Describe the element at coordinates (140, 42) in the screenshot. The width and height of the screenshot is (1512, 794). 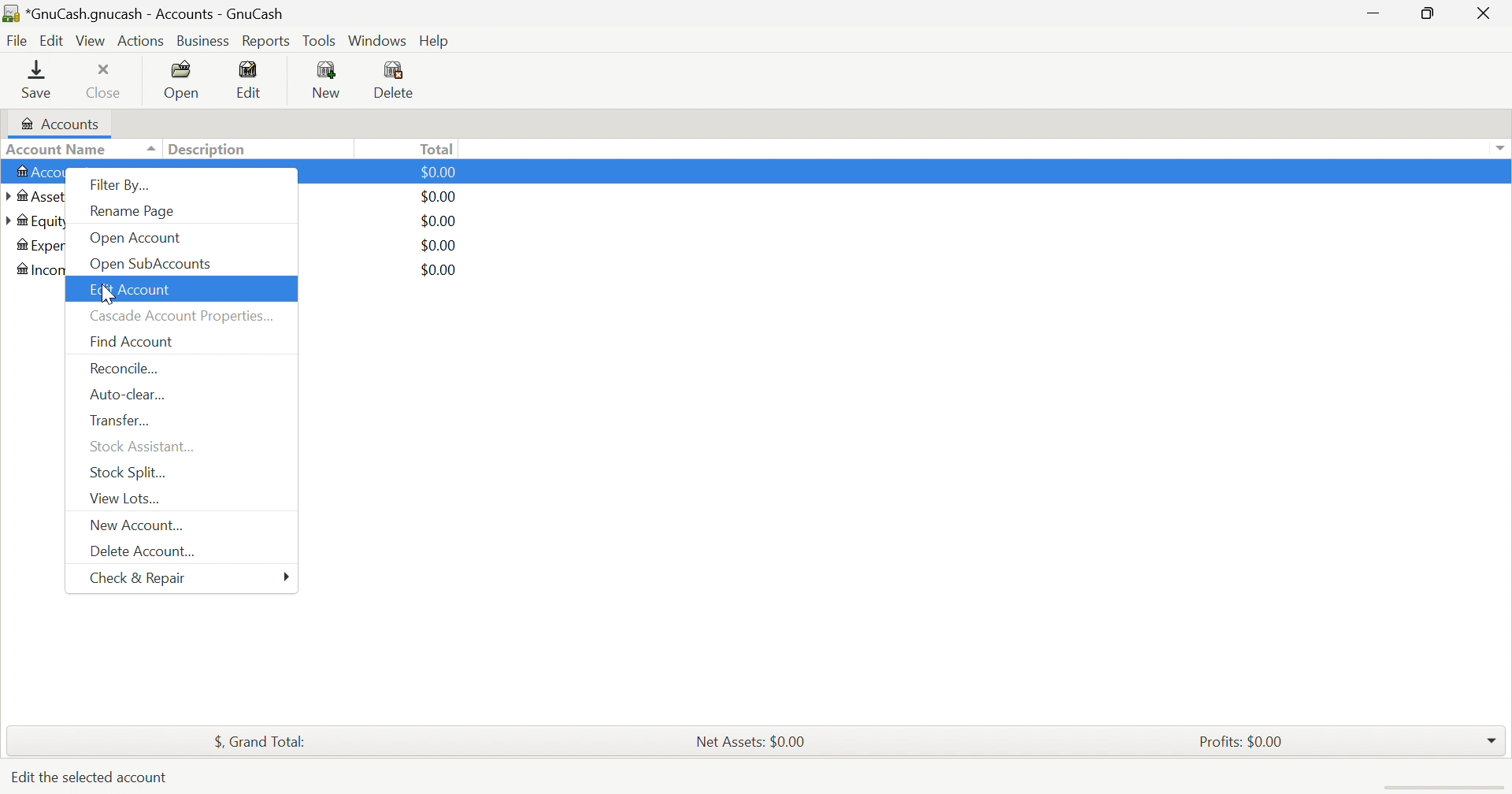
I see `Actions` at that location.